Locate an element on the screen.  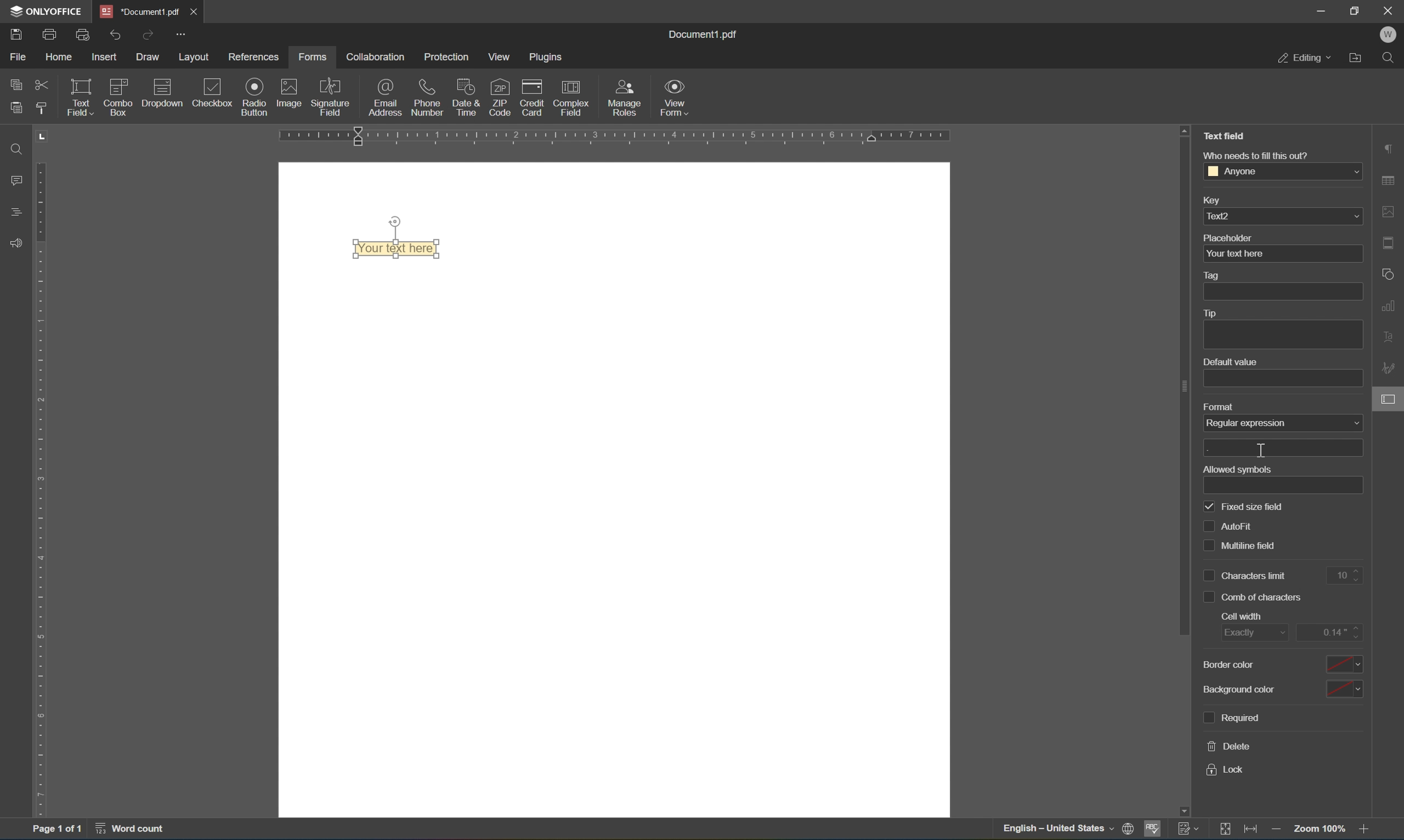
delete is located at coordinates (1228, 747).